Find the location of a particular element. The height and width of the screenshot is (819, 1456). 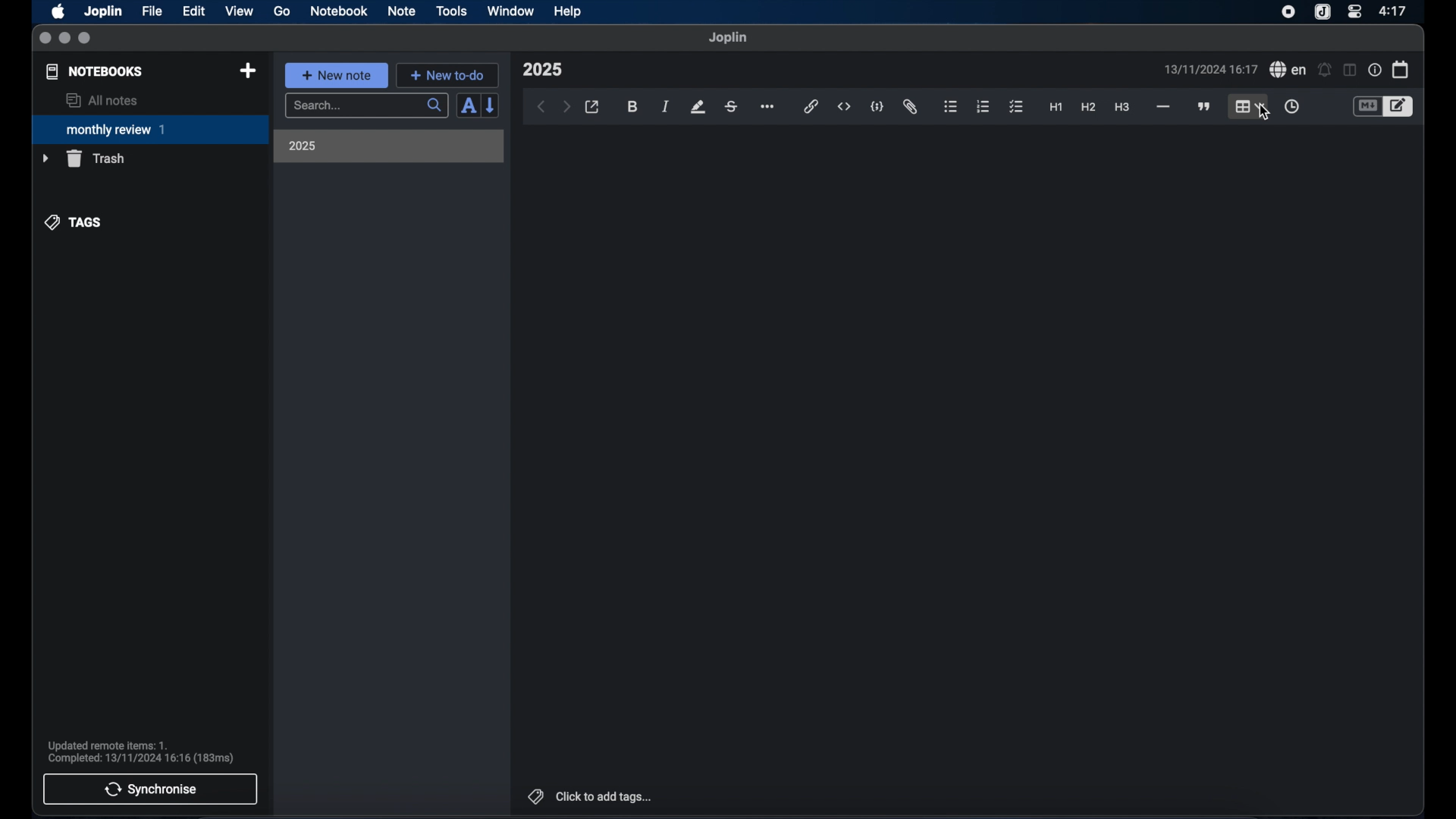

control center is located at coordinates (1354, 11).